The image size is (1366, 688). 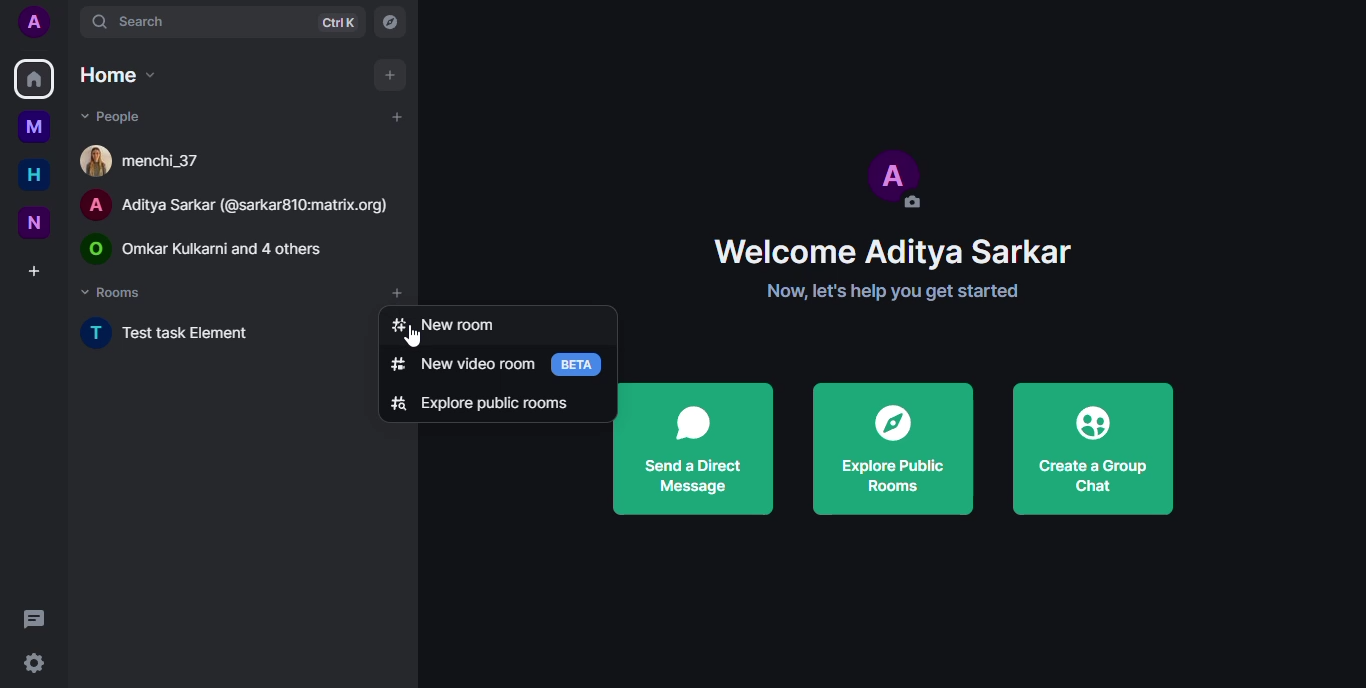 I want to click on home, so click(x=28, y=175).